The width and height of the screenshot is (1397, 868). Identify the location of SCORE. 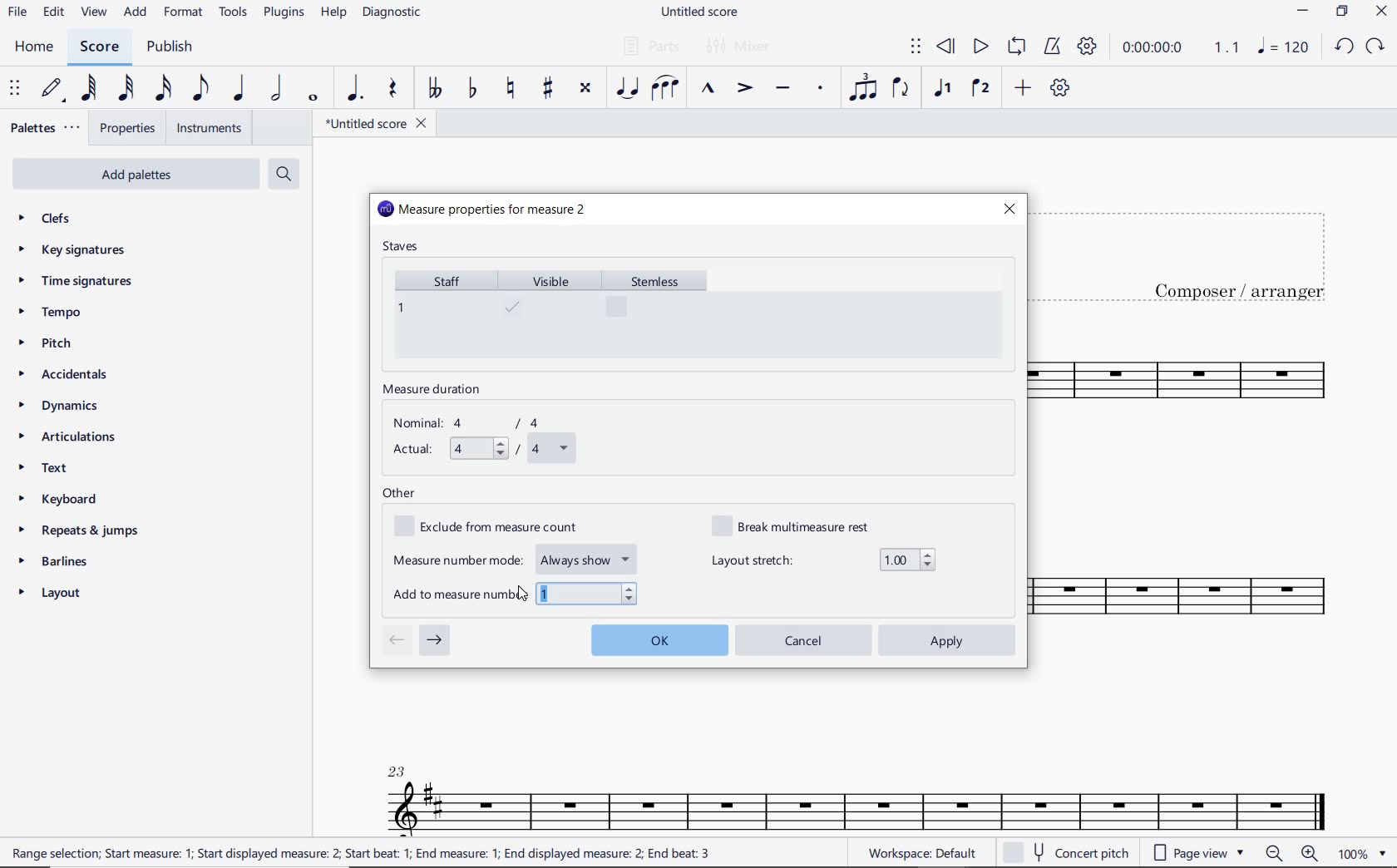
(99, 47).